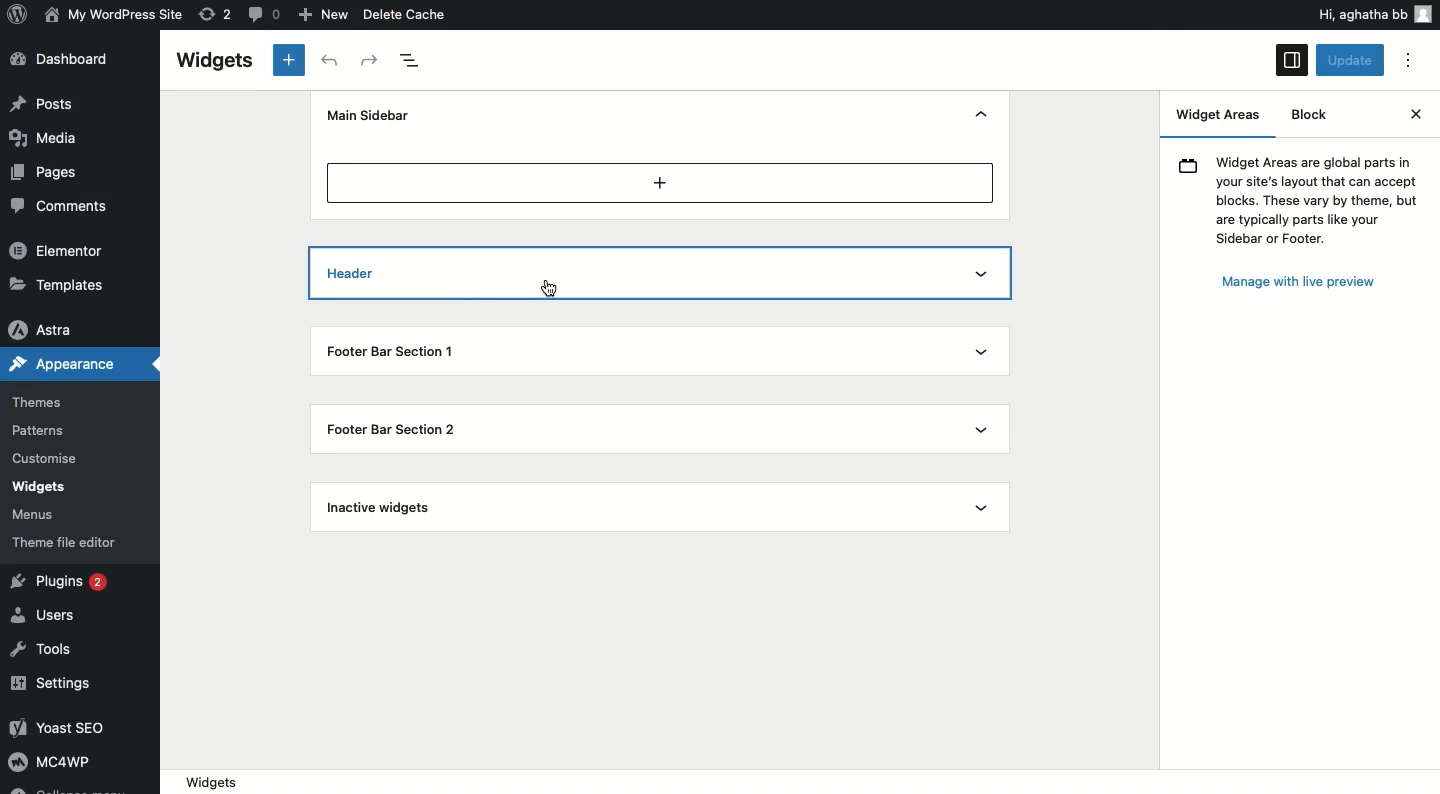 This screenshot has height=794, width=1440. Describe the element at coordinates (551, 288) in the screenshot. I see `Cursor` at that location.